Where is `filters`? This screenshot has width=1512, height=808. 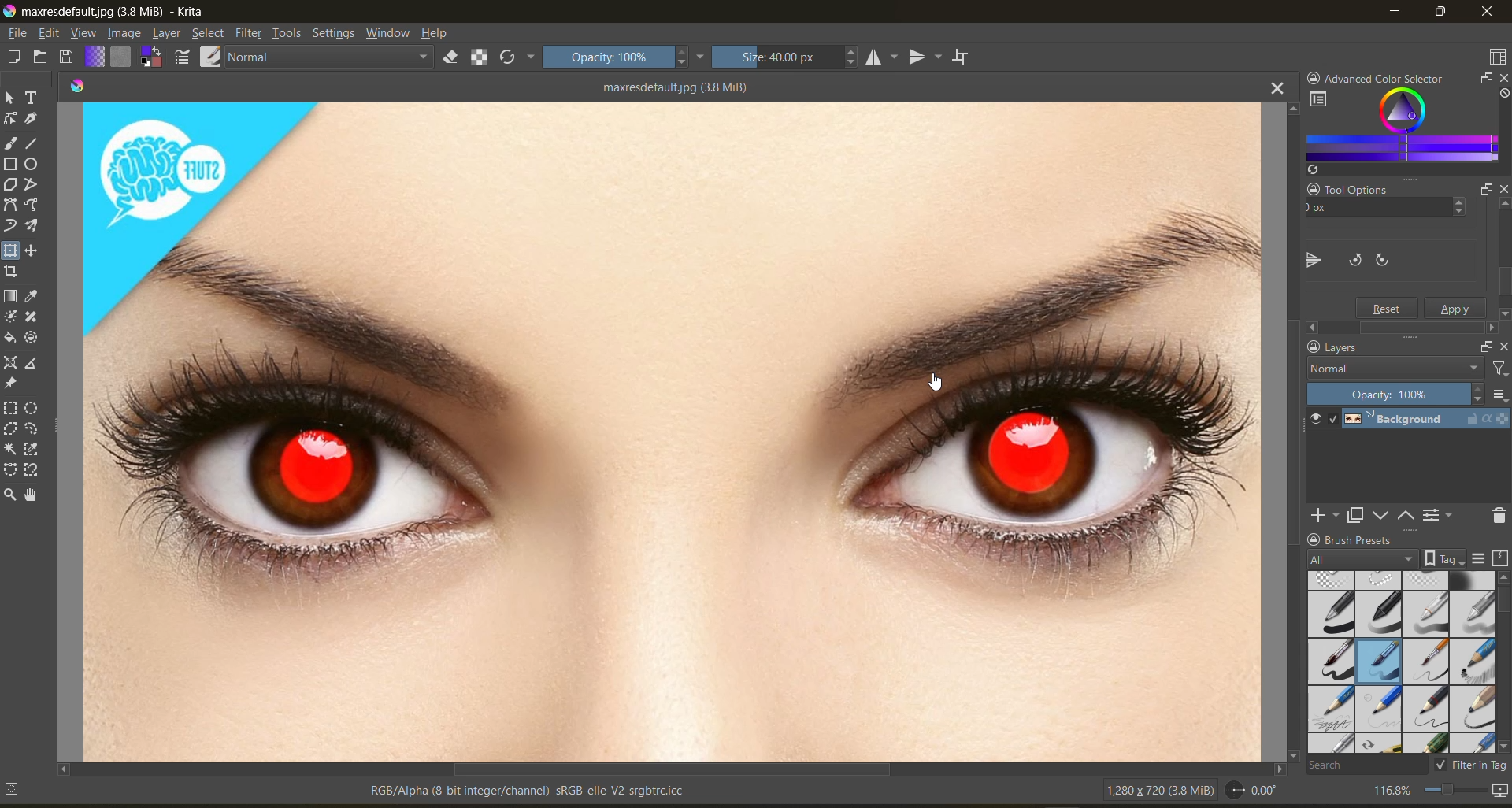
filters is located at coordinates (250, 34).